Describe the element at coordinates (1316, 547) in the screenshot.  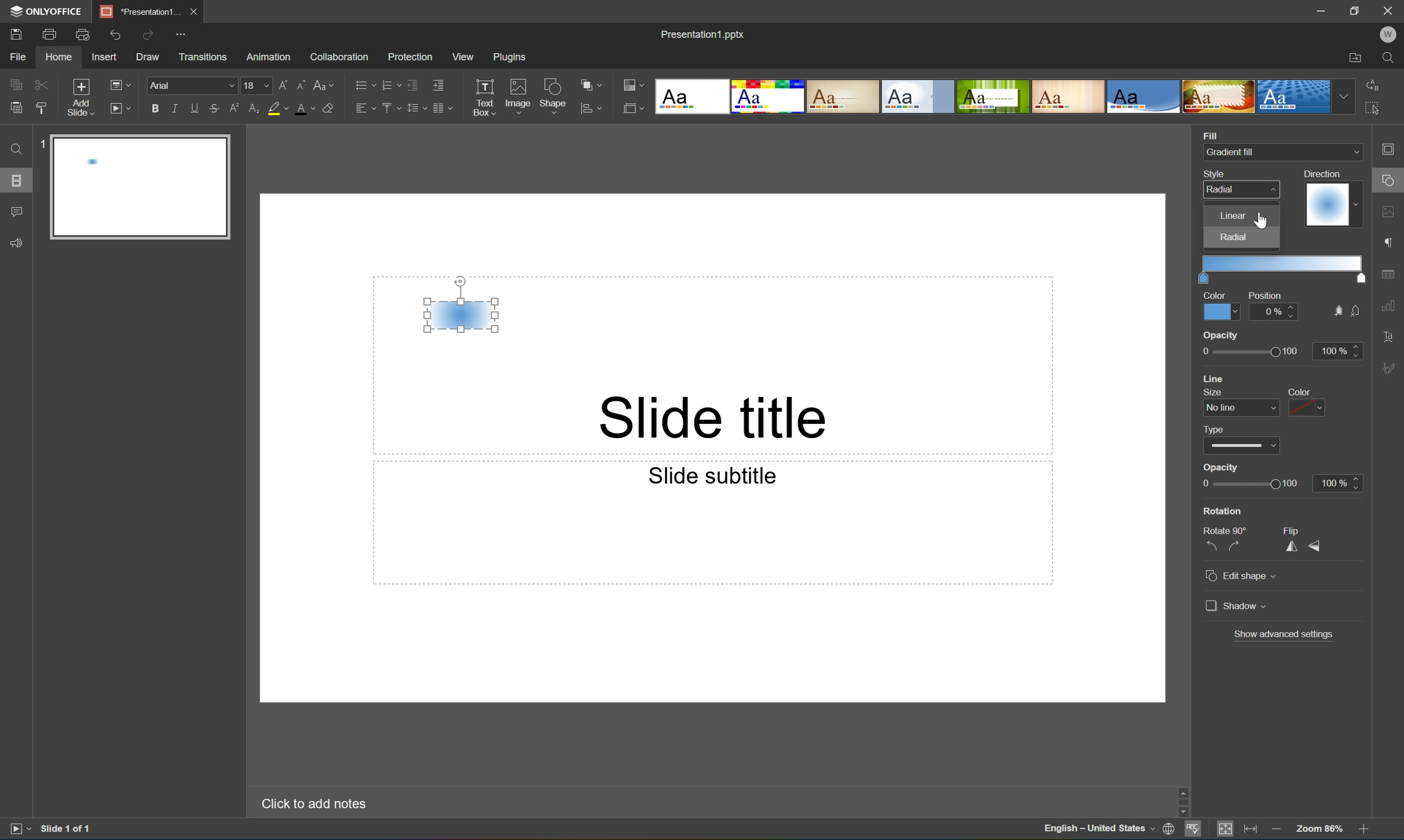
I see `Flip vertically` at that location.